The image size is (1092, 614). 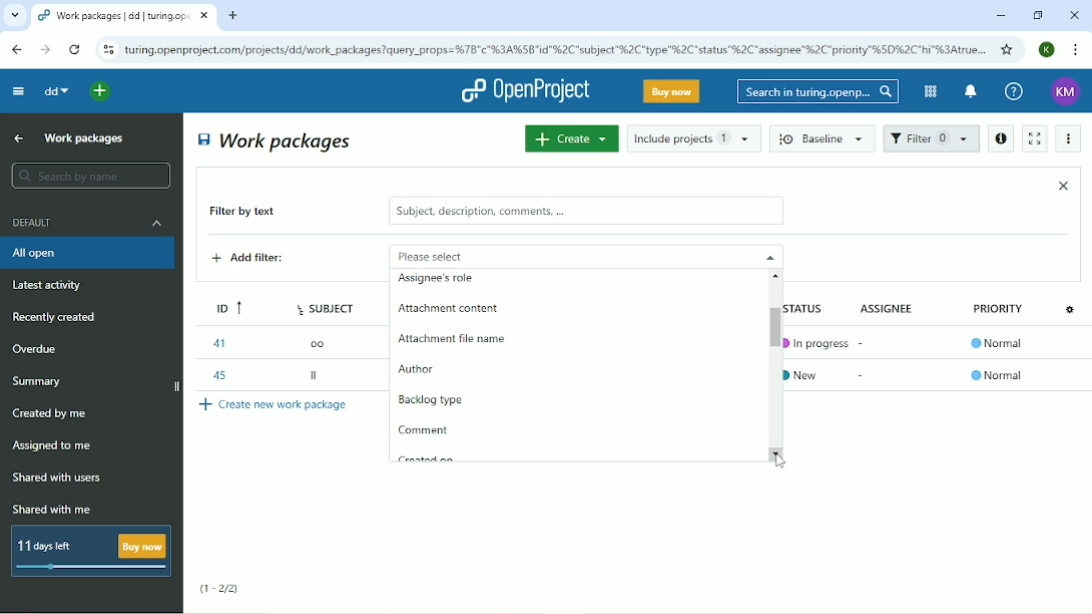 What do you see at coordinates (218, 343) in the screenshot?
I see `41` at bounding box center [218, 343].